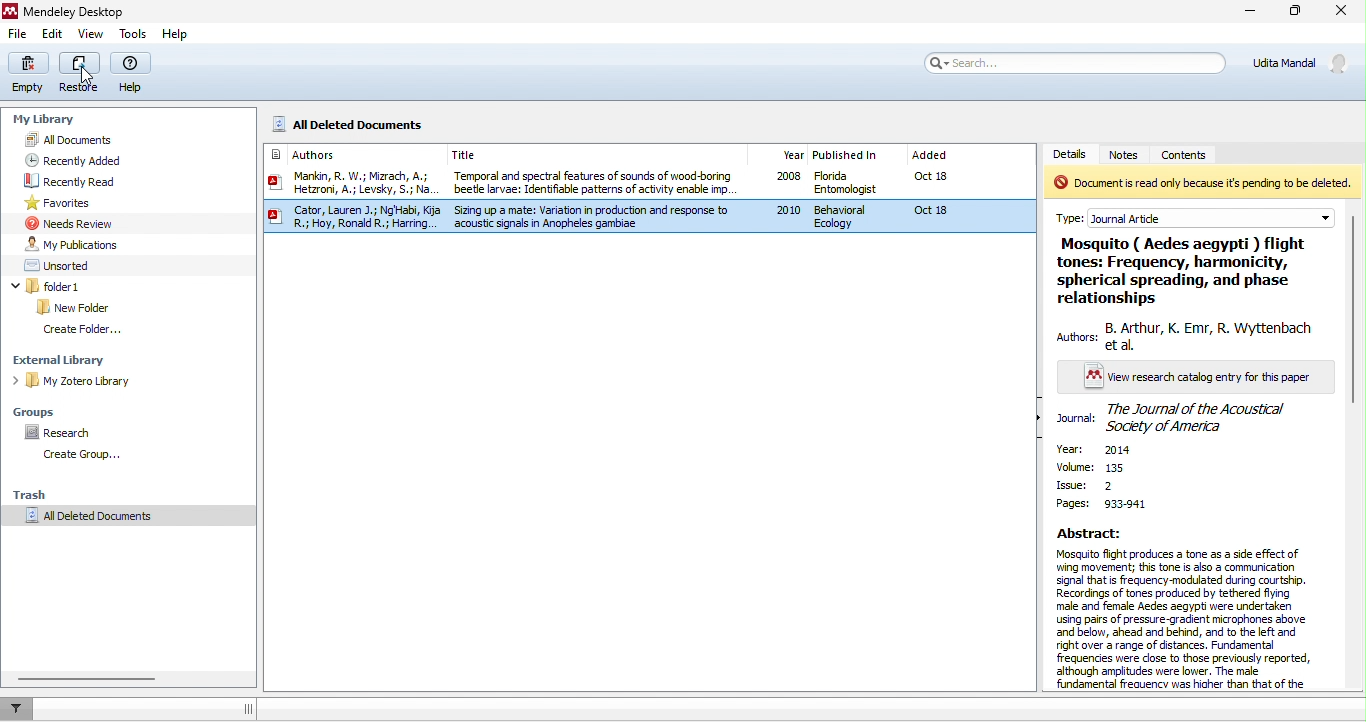  I want to click on contents, so click(1199, 153).